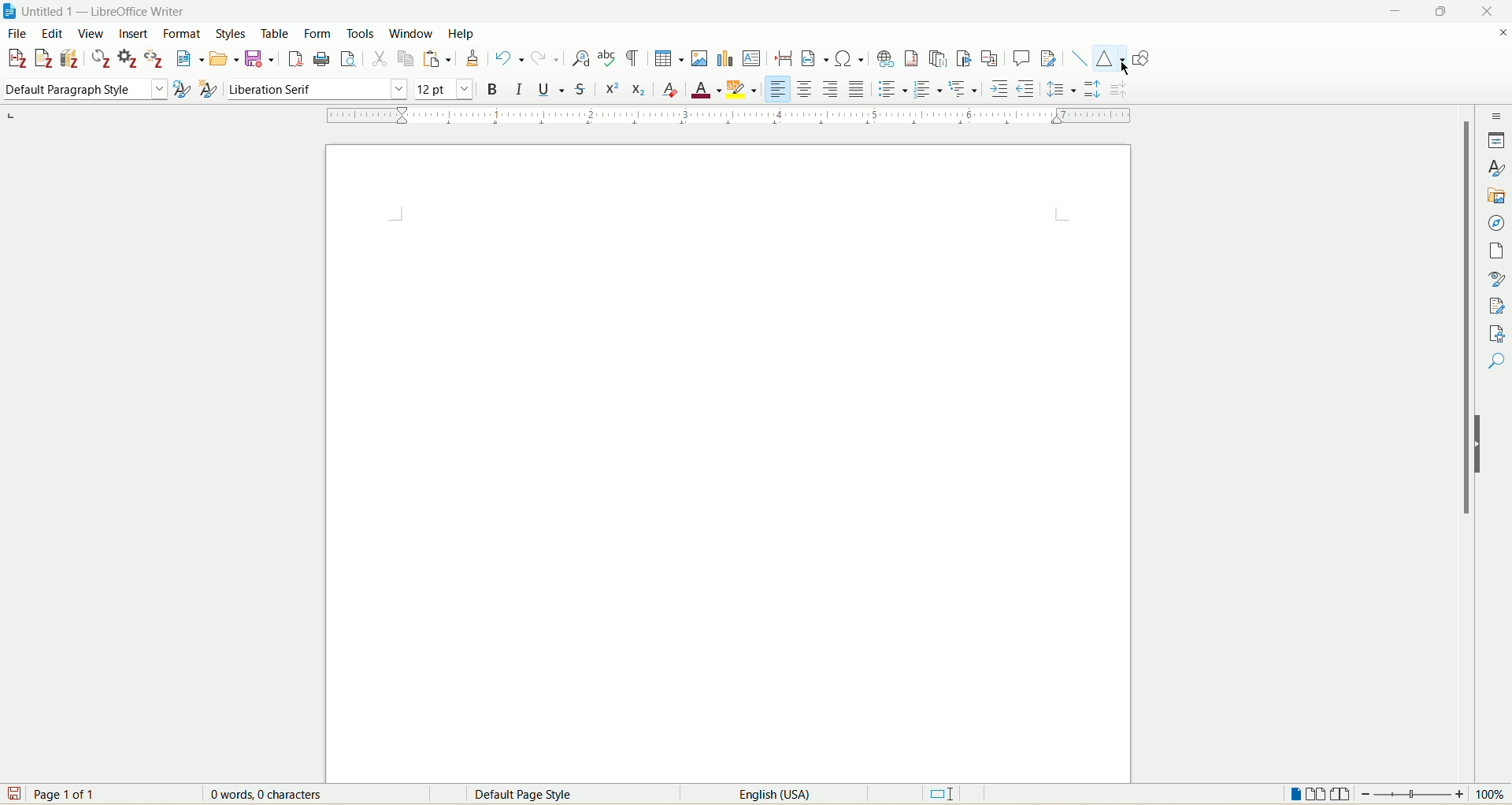 Image resolution: width=1512 pixels, height=805 pixels. I want to click on book view, so click(1340, 794).